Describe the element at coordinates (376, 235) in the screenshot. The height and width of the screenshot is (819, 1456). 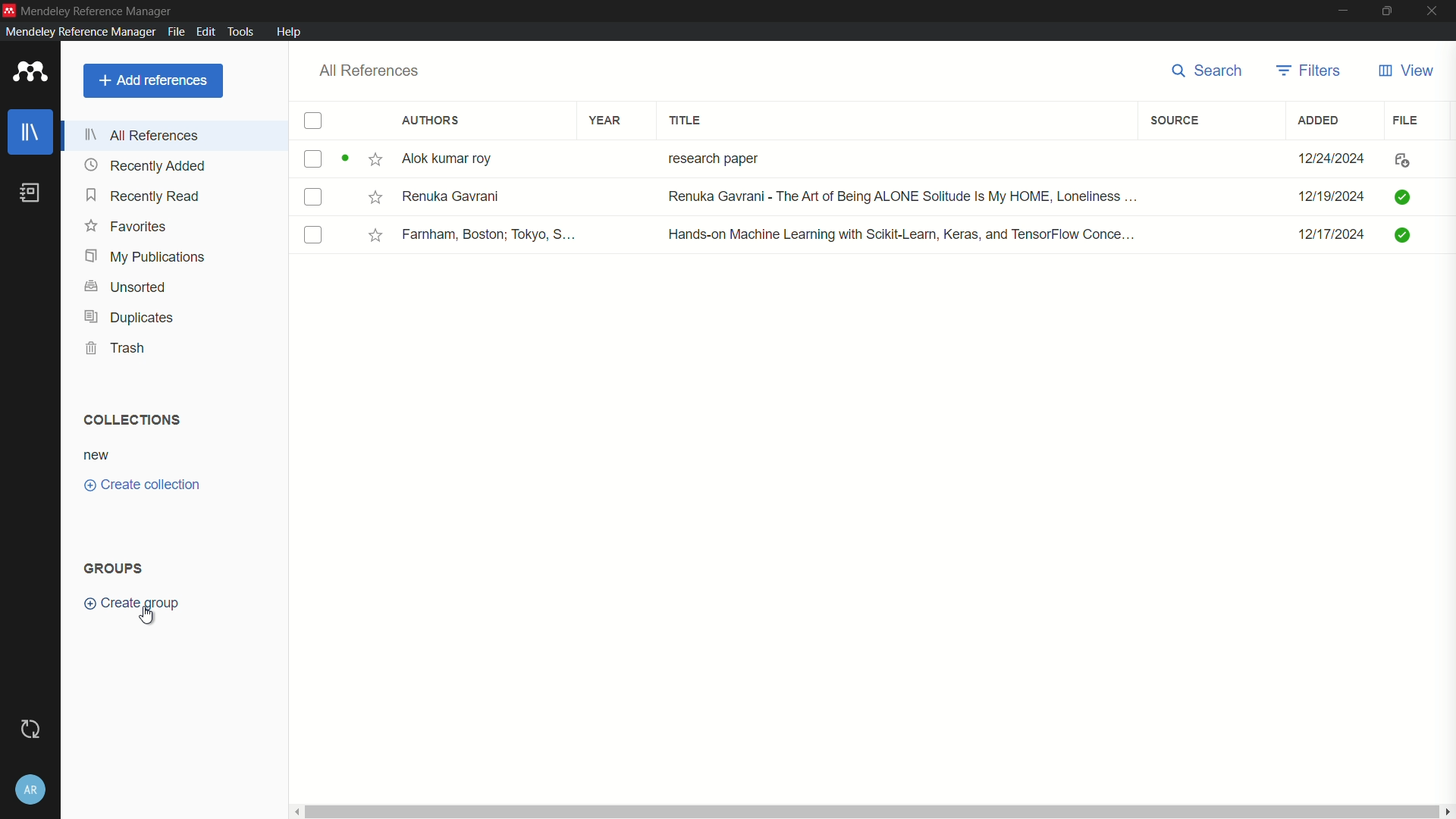
I see `Star` at that location.